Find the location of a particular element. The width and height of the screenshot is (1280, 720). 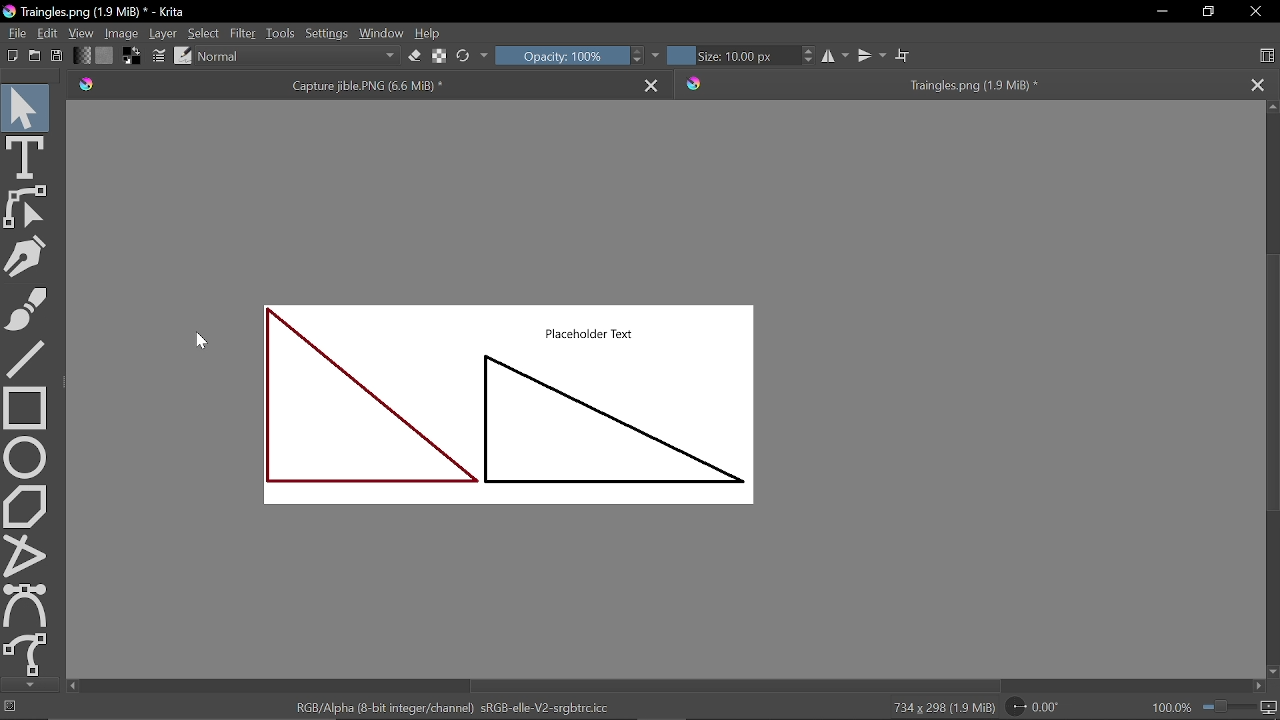

Vertical mirror is located at coordinates (874, 53).